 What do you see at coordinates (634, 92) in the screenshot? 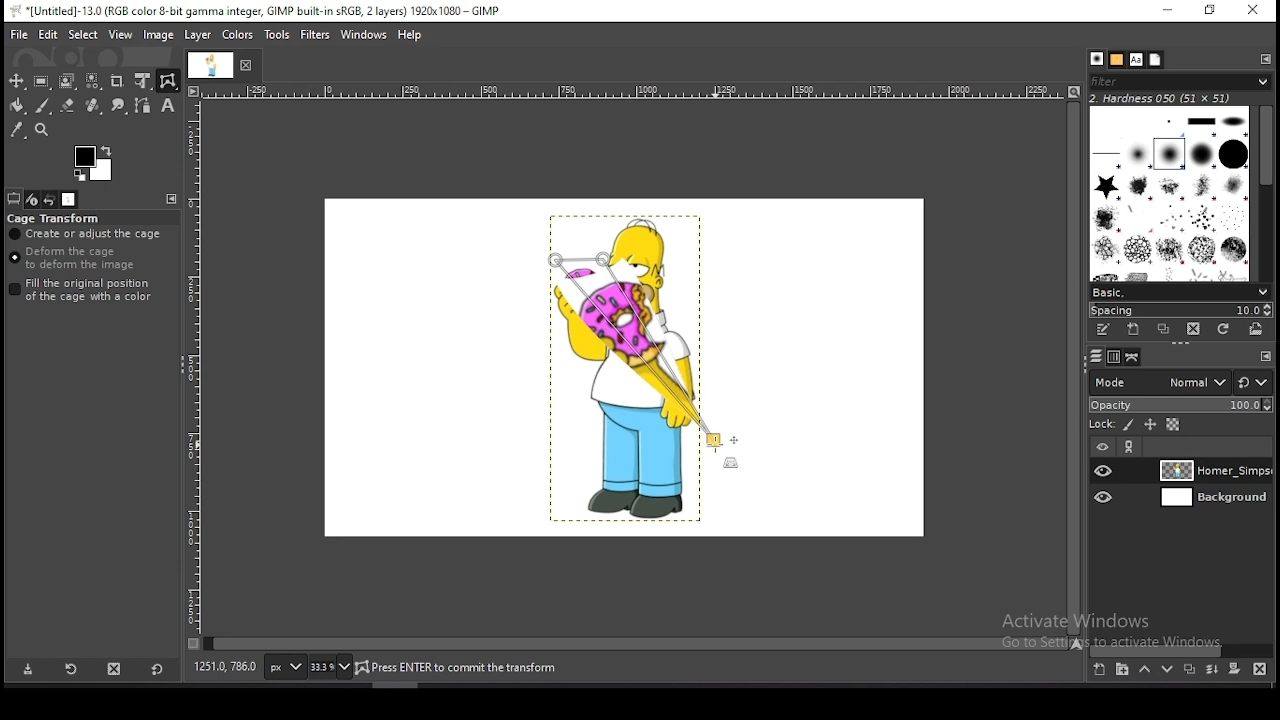
I see `scale` at bounding box center [634, 92].